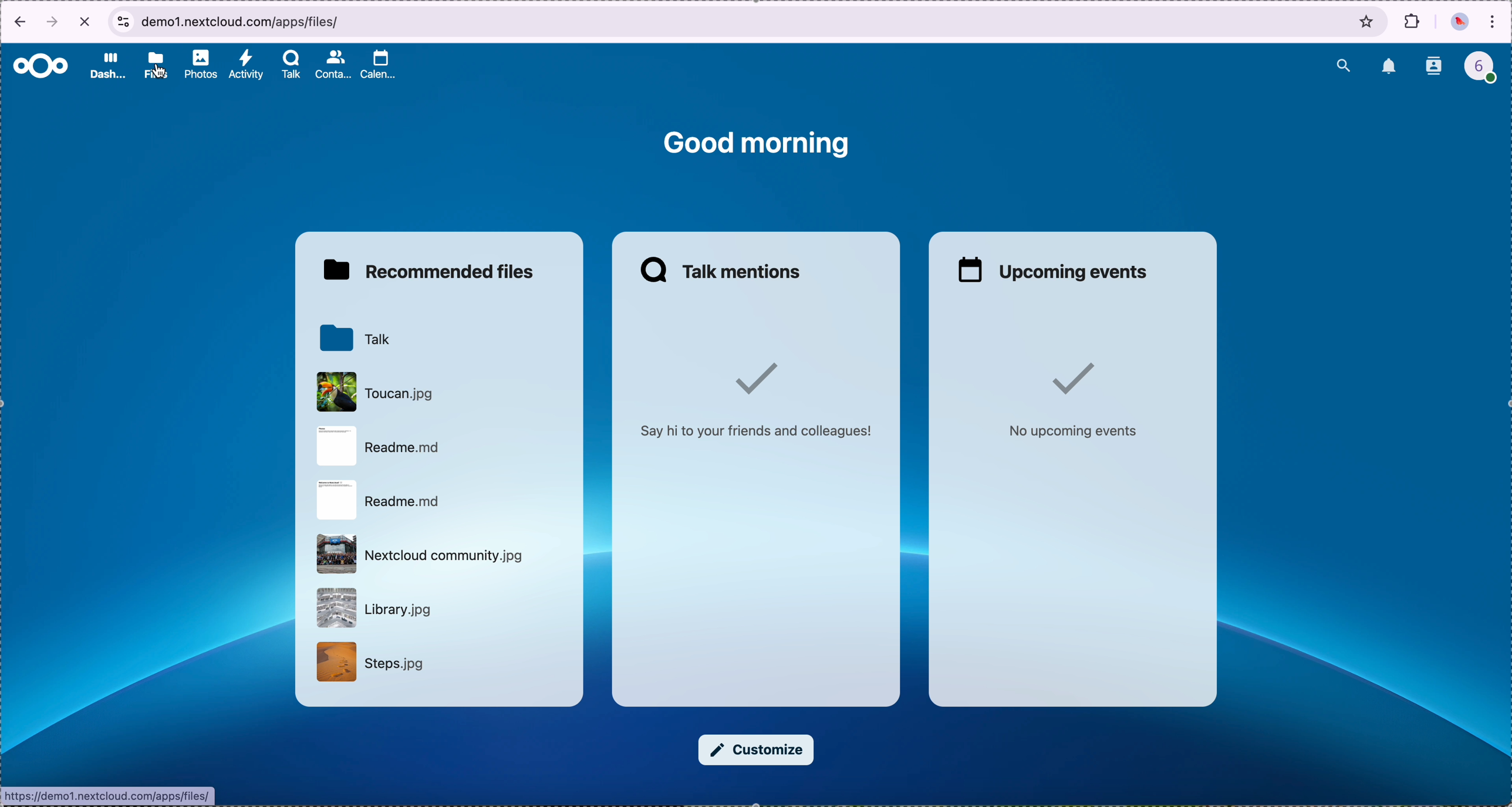 The width and height of the screenshot is (1512, 807). Describe the element at coordinates (123, 22) in the screenshot. I see `view site information` at that location.